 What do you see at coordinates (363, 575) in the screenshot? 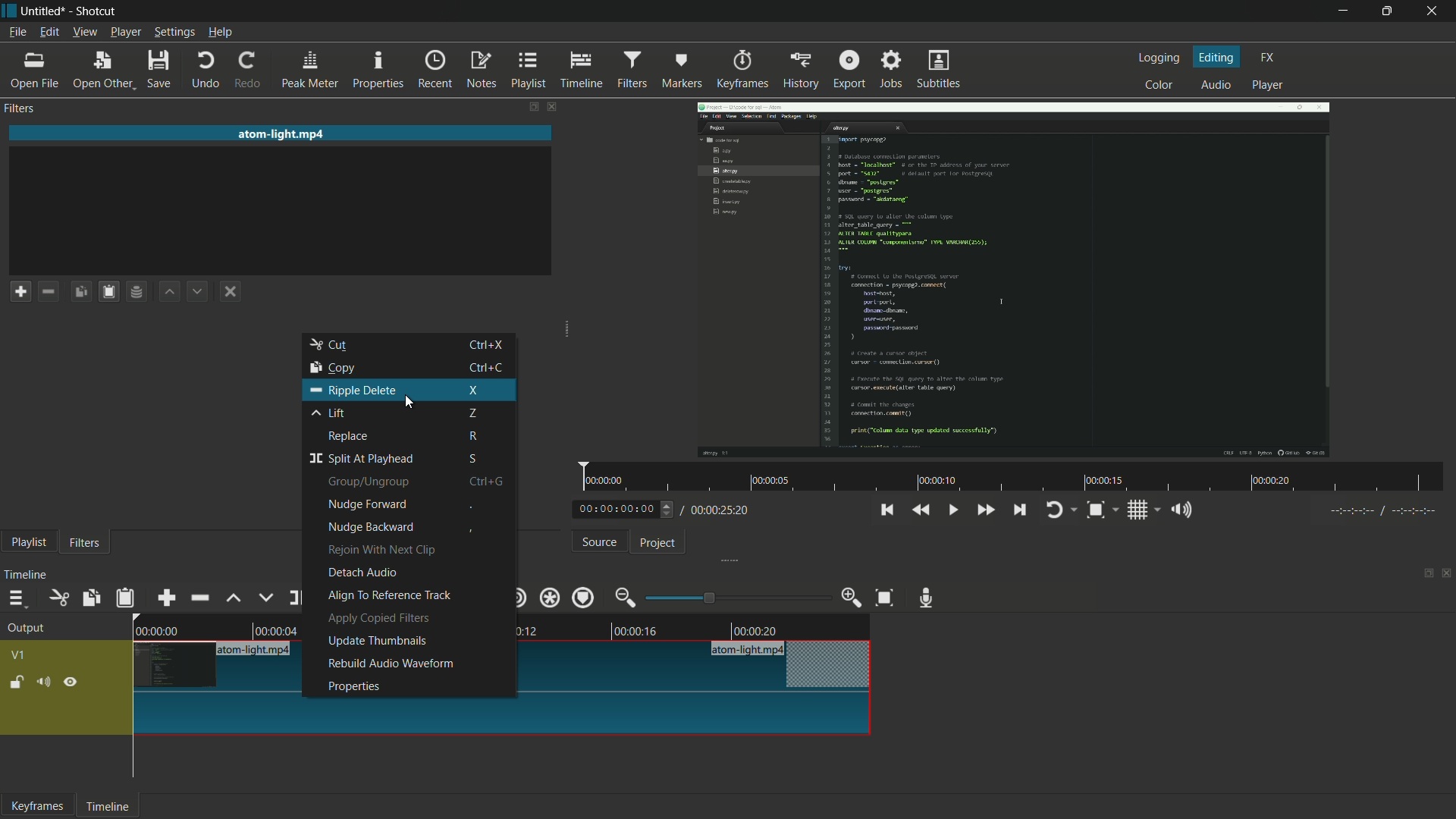
I see `detach audio` at bounding box center [363, 575].